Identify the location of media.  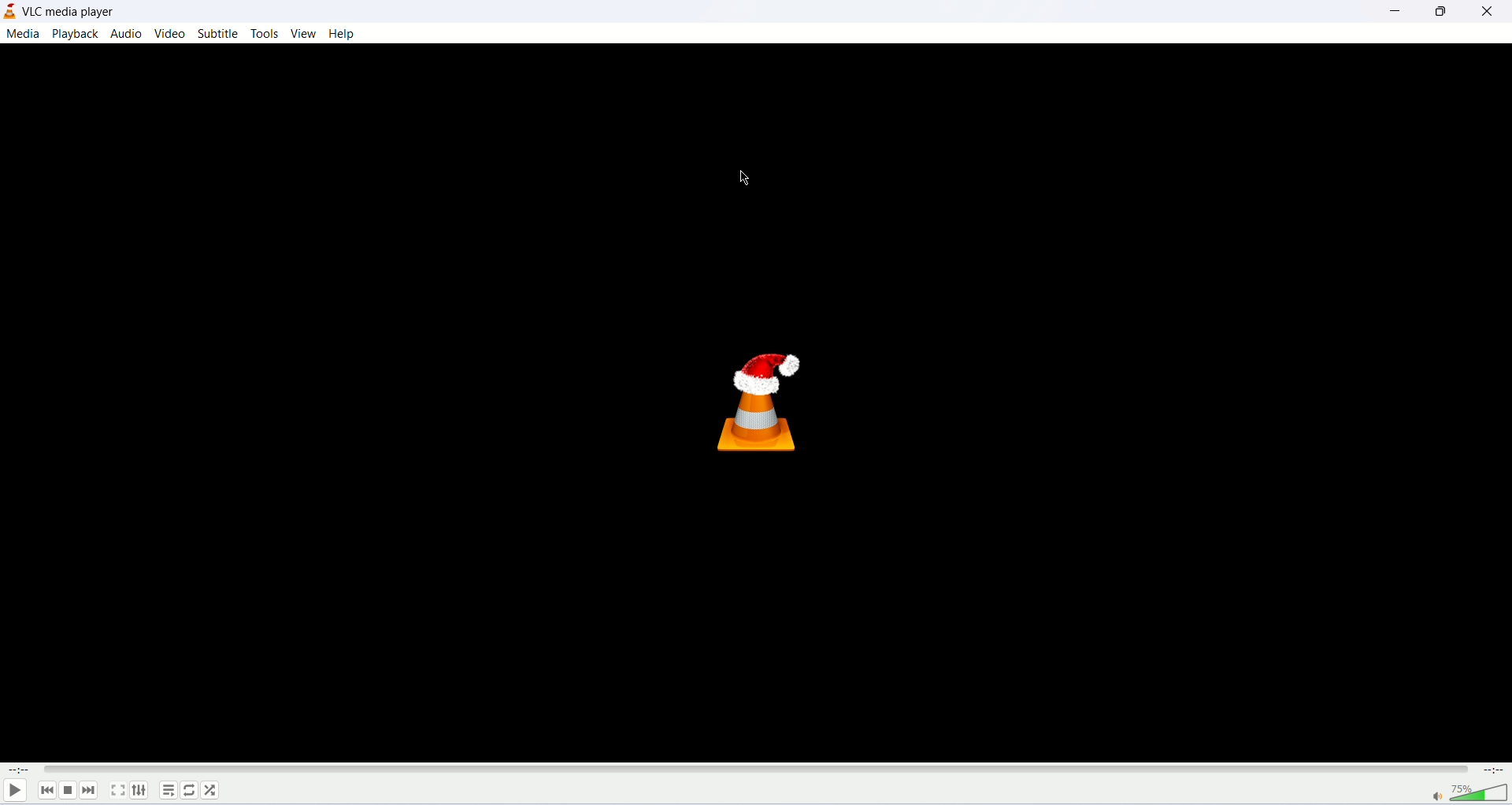
(23, 35).